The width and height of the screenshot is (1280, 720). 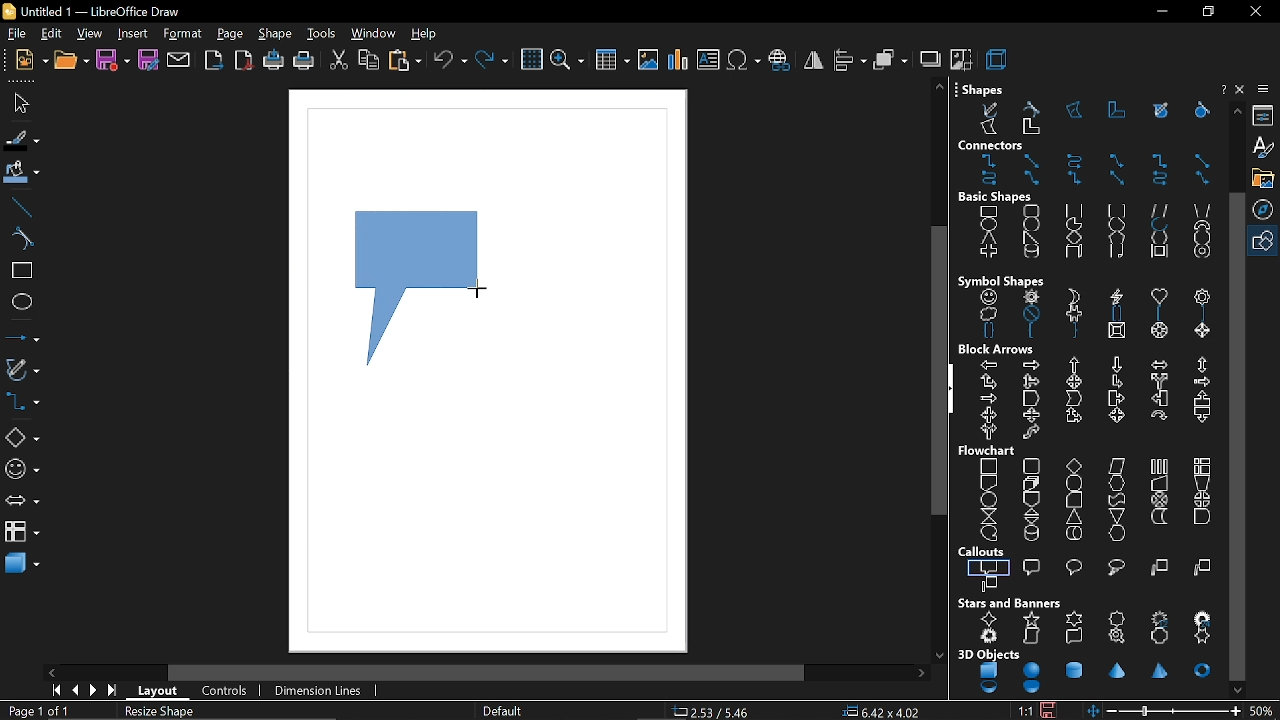 What do you see at coordinates (21, 139) in the screenshot?
I see `fill line` at bounding box center [21, 139].